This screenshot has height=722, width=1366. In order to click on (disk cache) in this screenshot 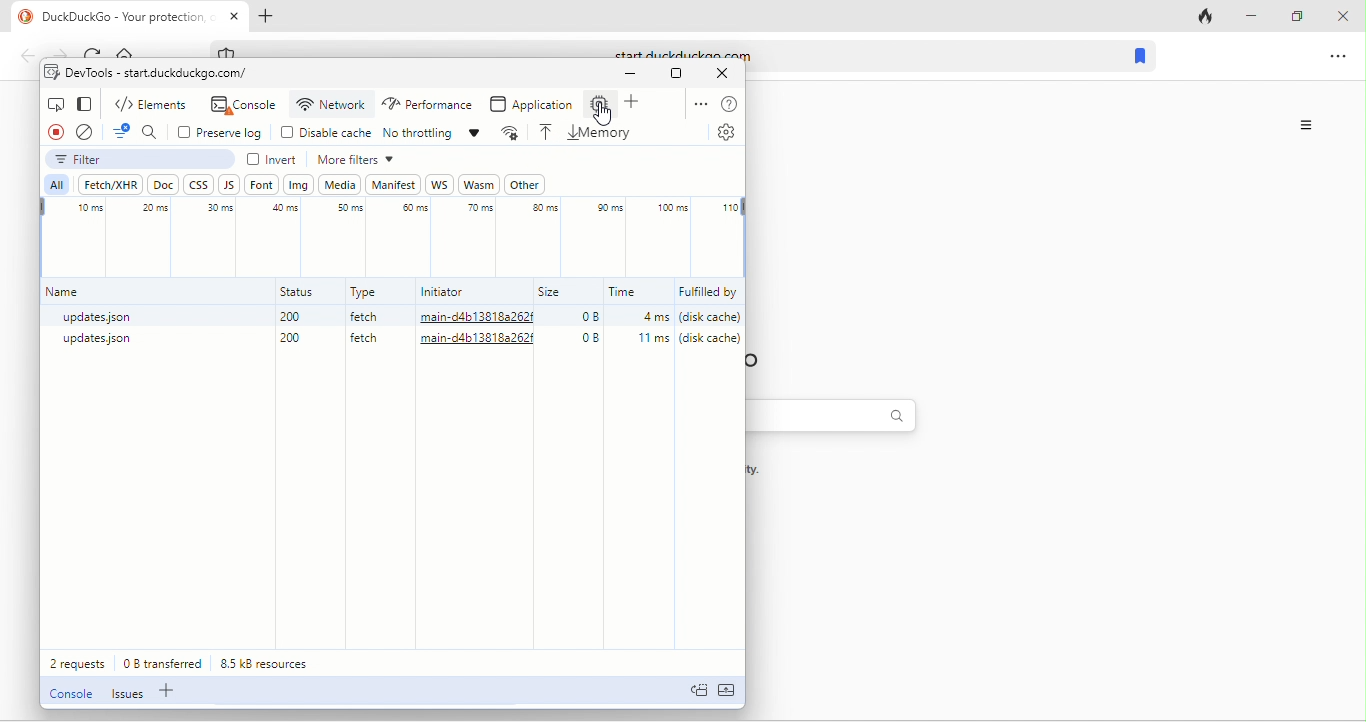, I will do `click(712, 340)`.